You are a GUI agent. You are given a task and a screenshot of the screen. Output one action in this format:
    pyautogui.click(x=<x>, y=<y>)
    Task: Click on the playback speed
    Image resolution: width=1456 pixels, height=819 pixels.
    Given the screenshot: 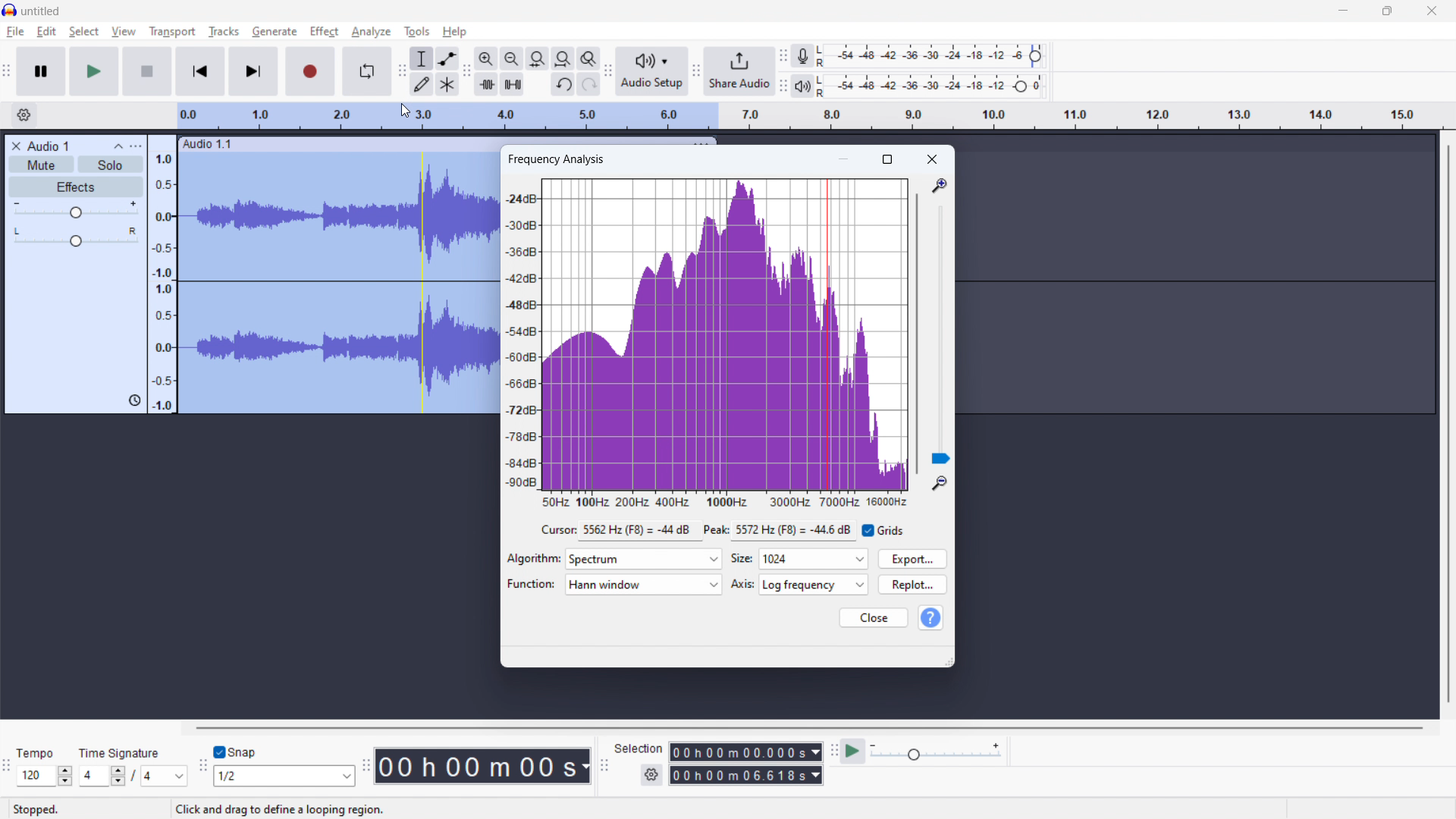 What is the action you would take?
    pyautogui.click(x=936, y=752)
    